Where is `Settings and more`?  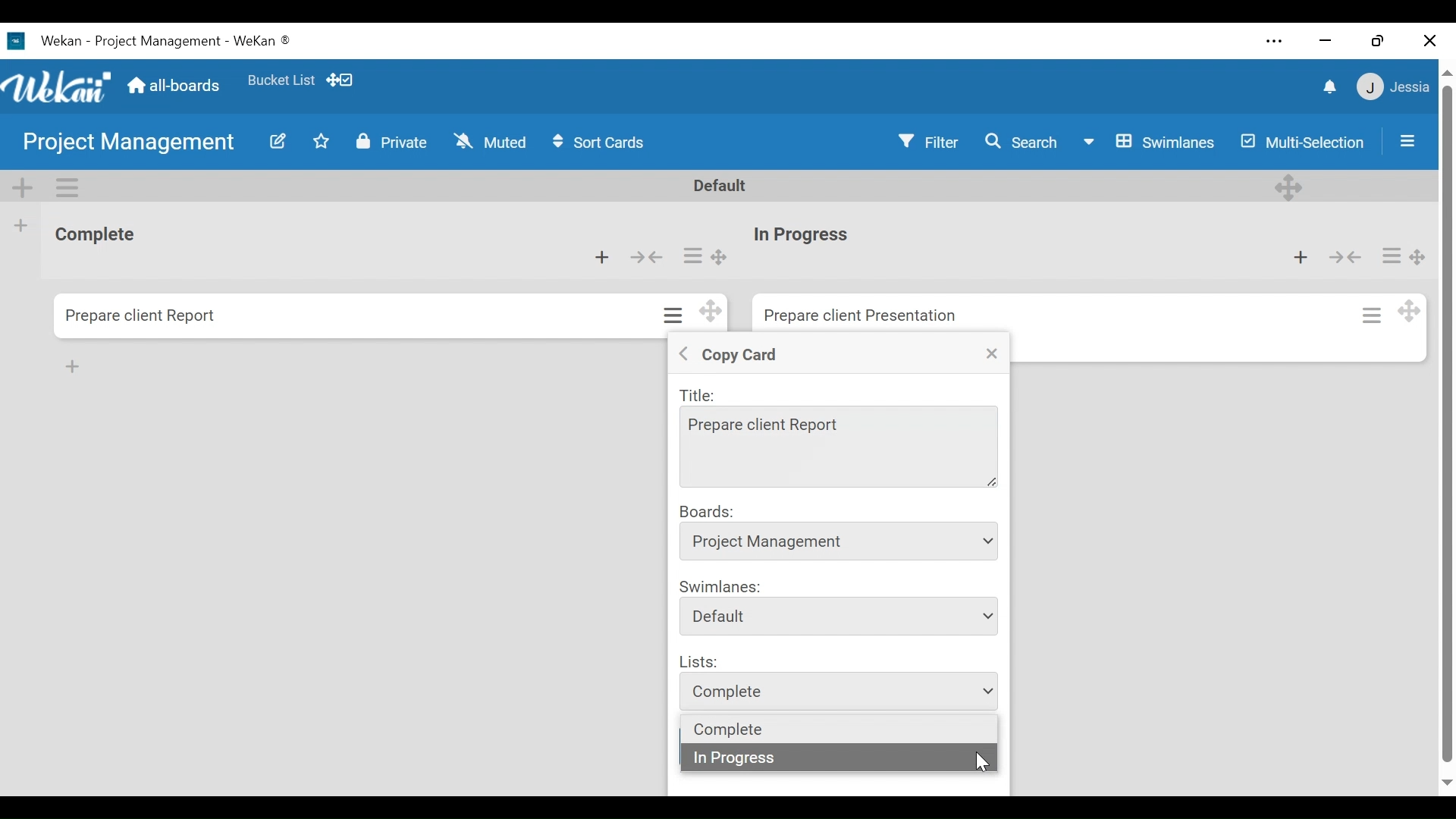
Settings and more is located at coordinates (1275, 42).